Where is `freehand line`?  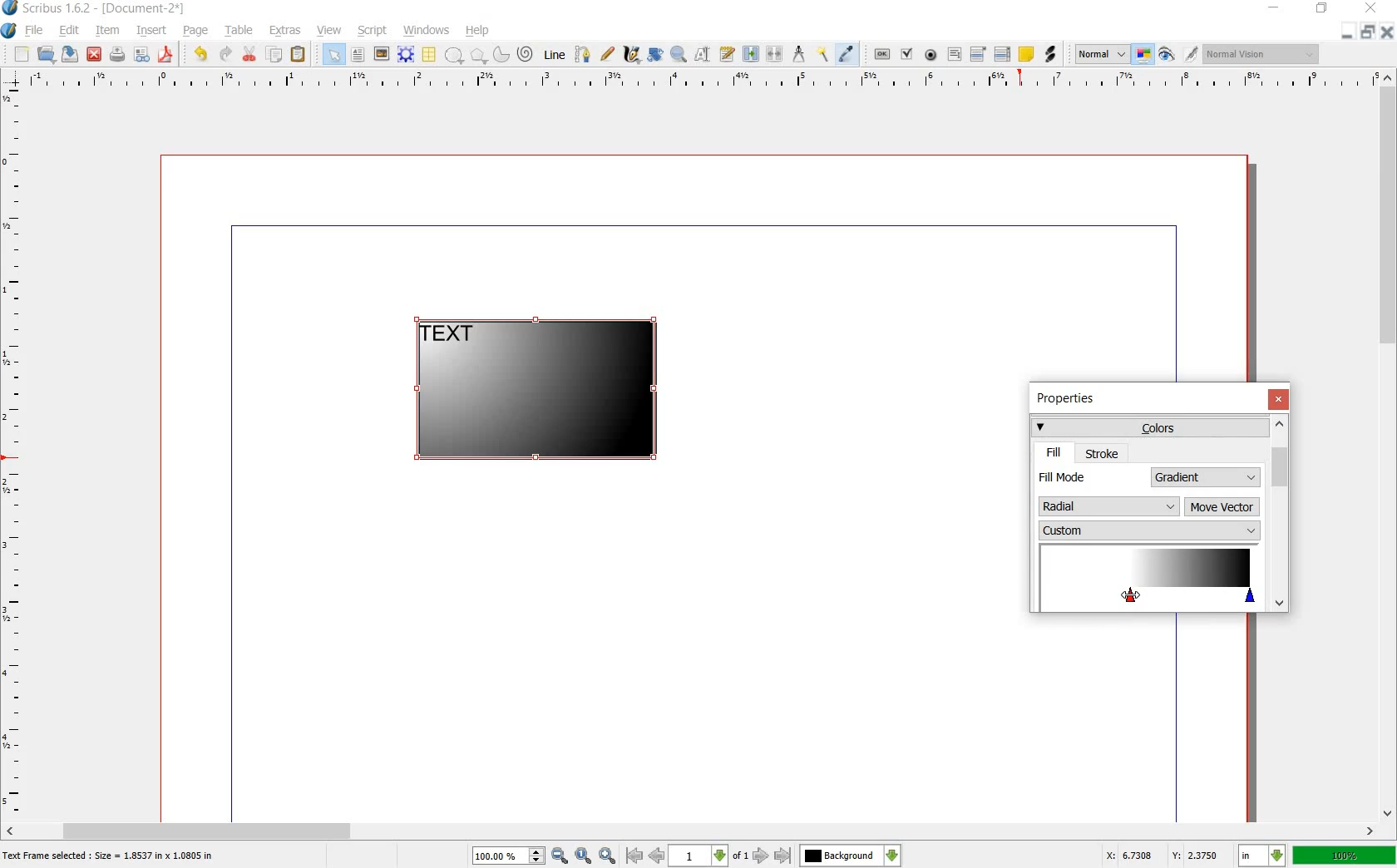
freehand line is located at coordinates (607, 53).